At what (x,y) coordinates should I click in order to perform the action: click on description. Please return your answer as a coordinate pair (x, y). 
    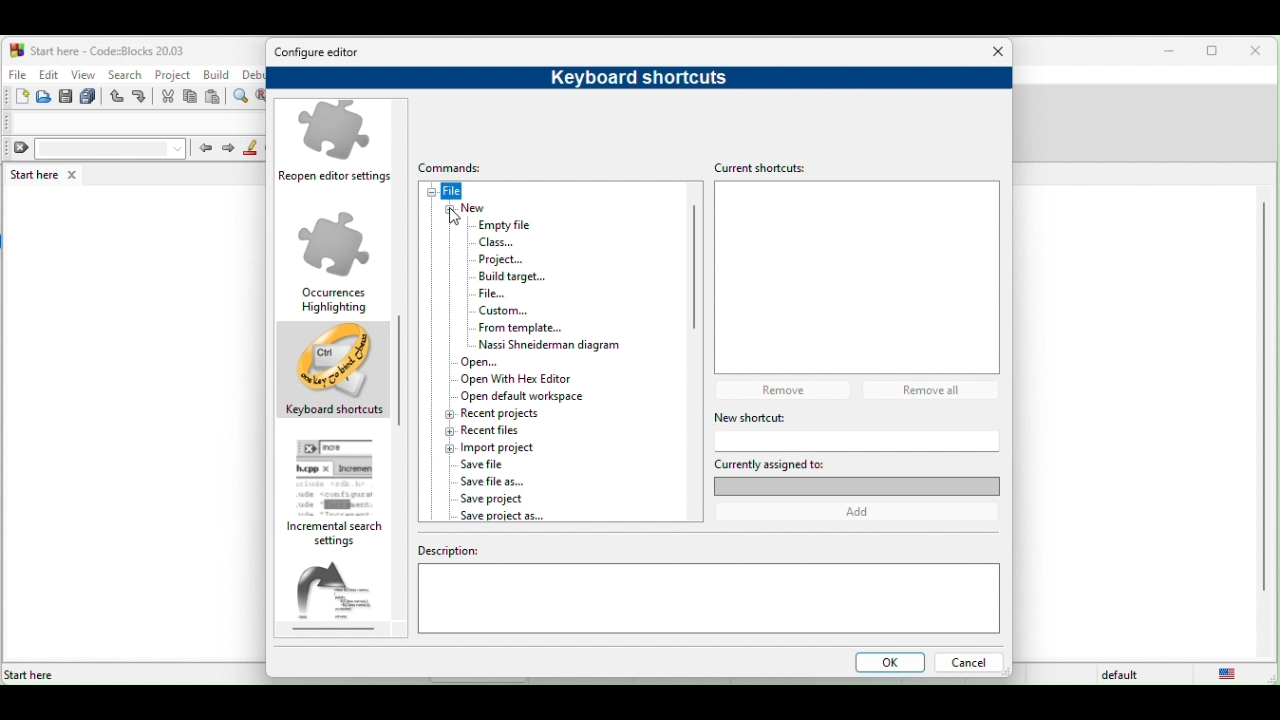
    Looking at the image, I should click on (708, 595).